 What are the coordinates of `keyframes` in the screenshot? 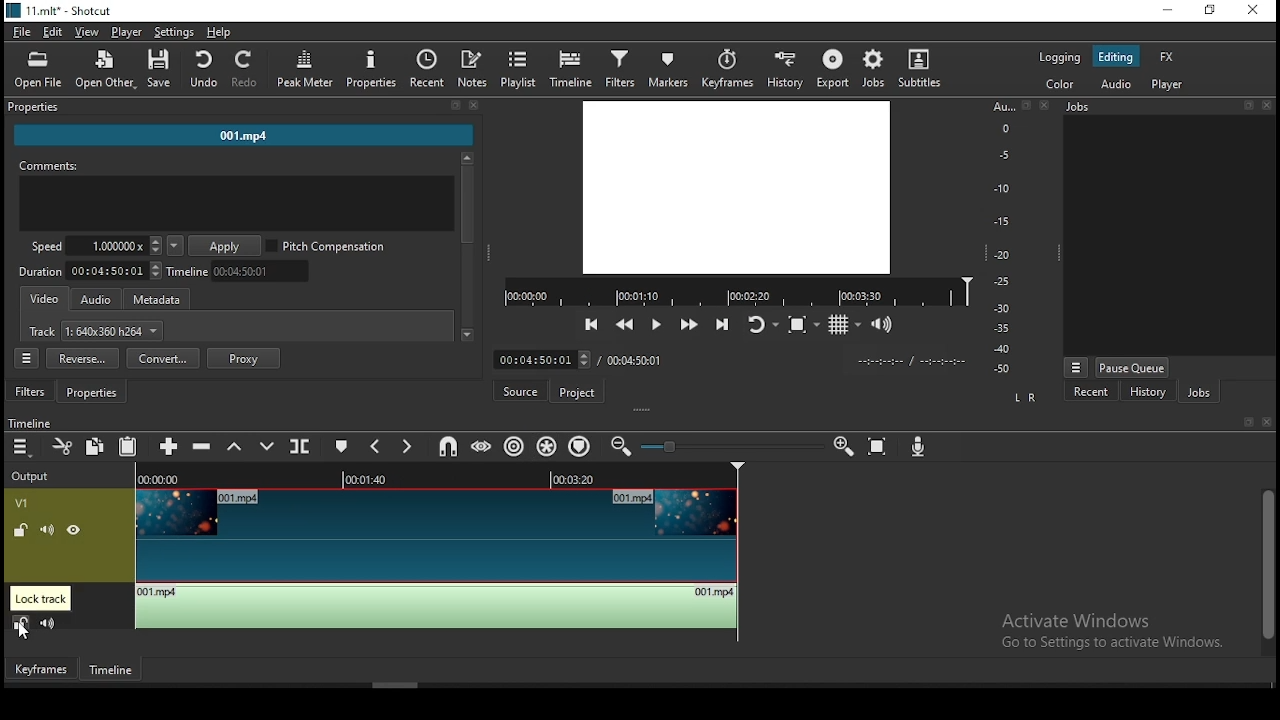 It's located at (727, 66).